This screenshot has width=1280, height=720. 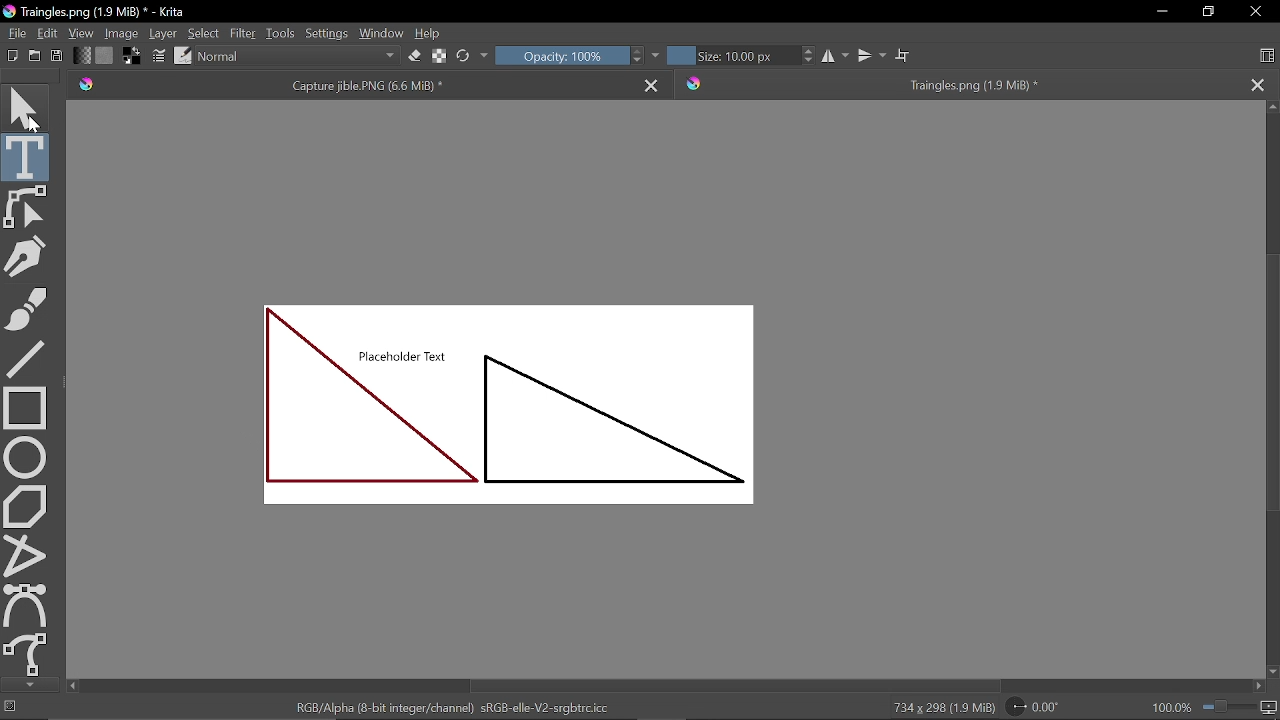 What do you see at coordinates (413, 56) in the screenshot?
I see `Eraser` at bounding box center [413, 56].